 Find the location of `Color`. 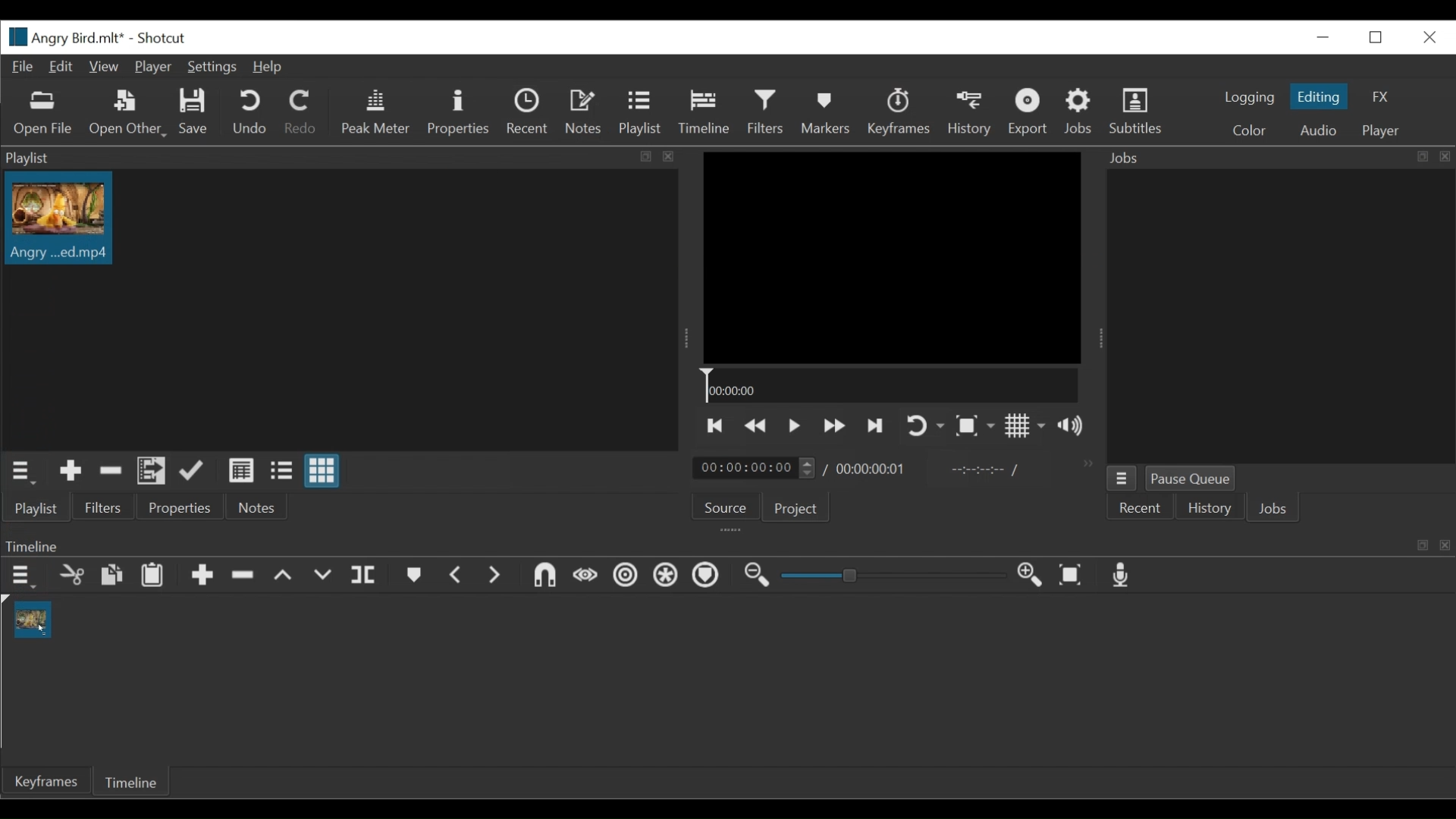

Color is located at coordinates (1254, 130).